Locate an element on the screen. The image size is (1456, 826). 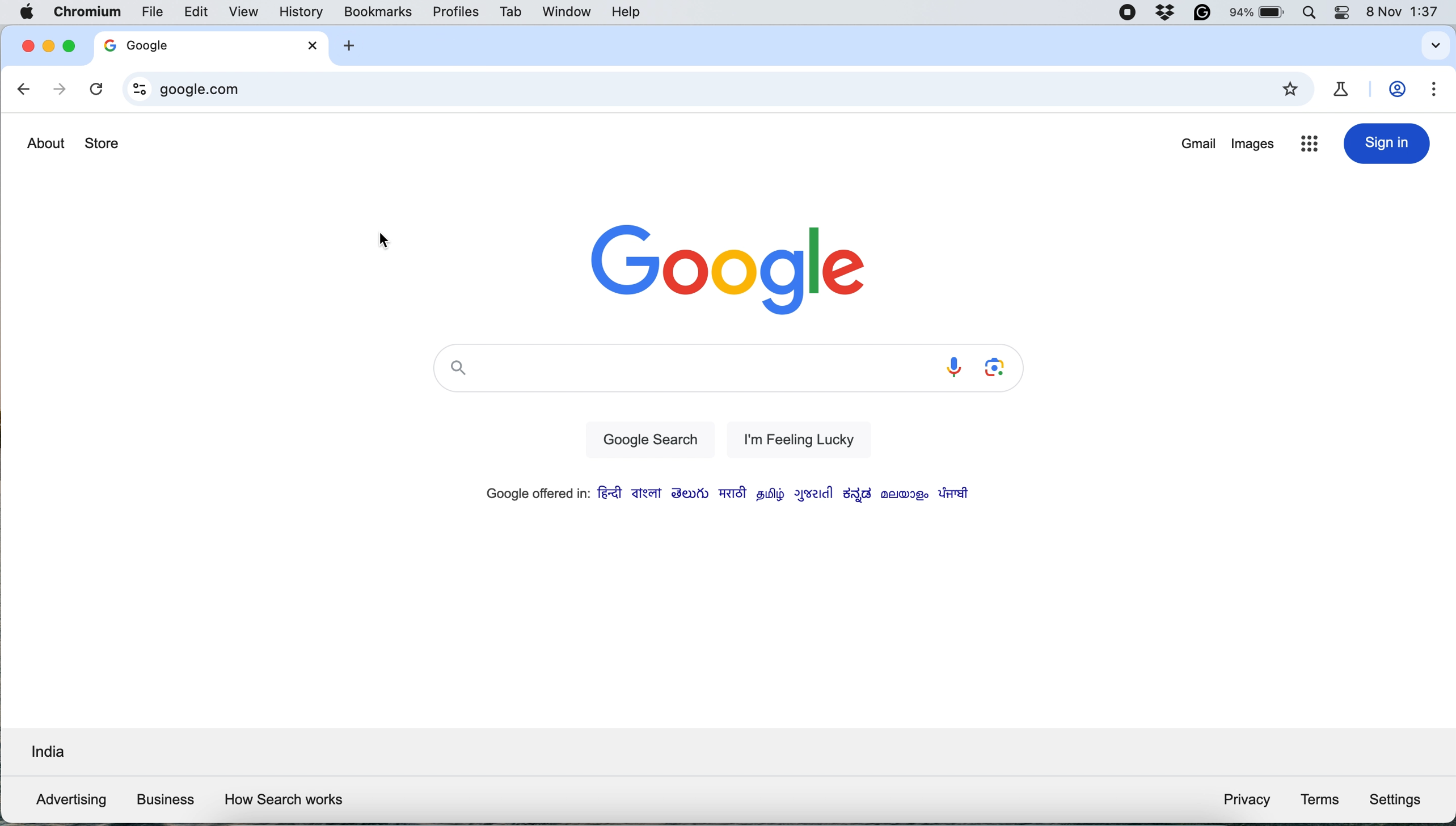
image search is located at coordinates (998, 368).